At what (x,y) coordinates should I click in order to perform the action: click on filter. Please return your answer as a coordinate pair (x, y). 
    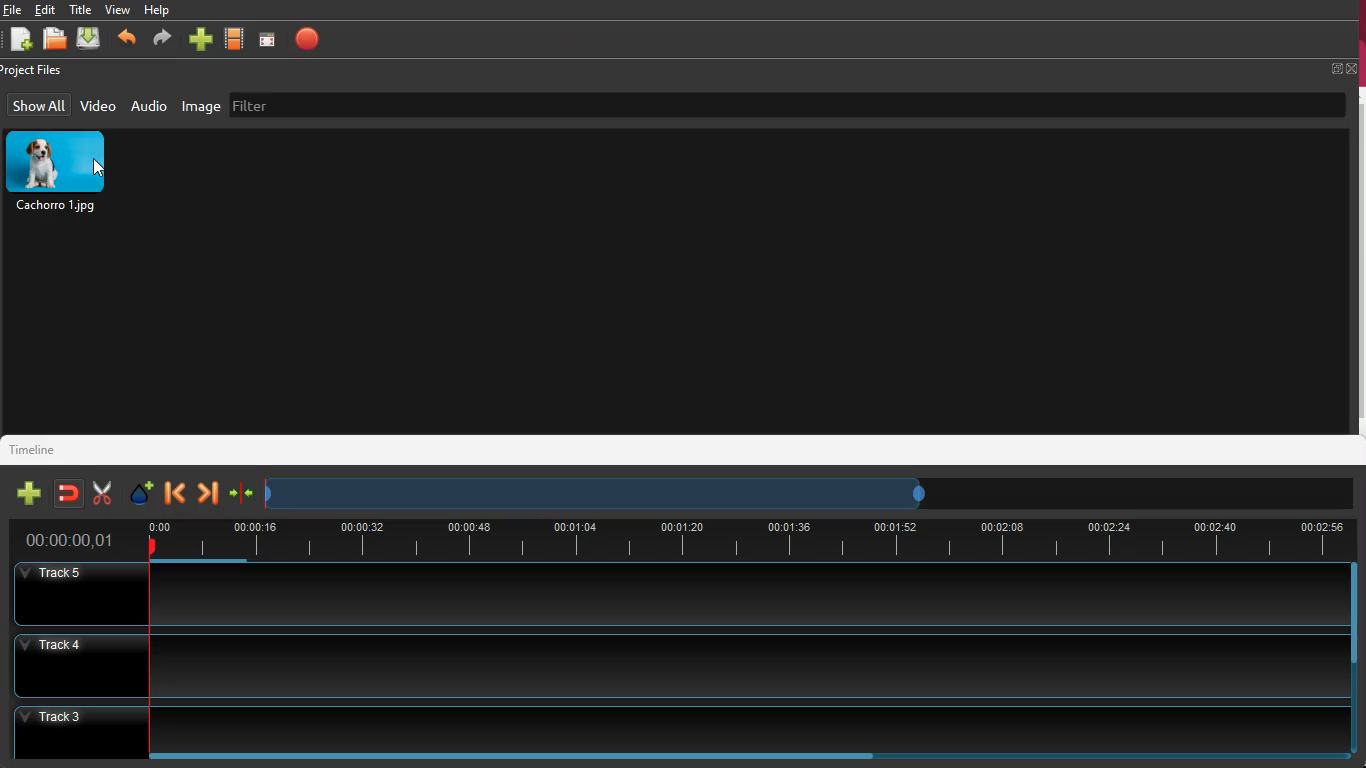
    Looking at the image, I should click on (260, 105).